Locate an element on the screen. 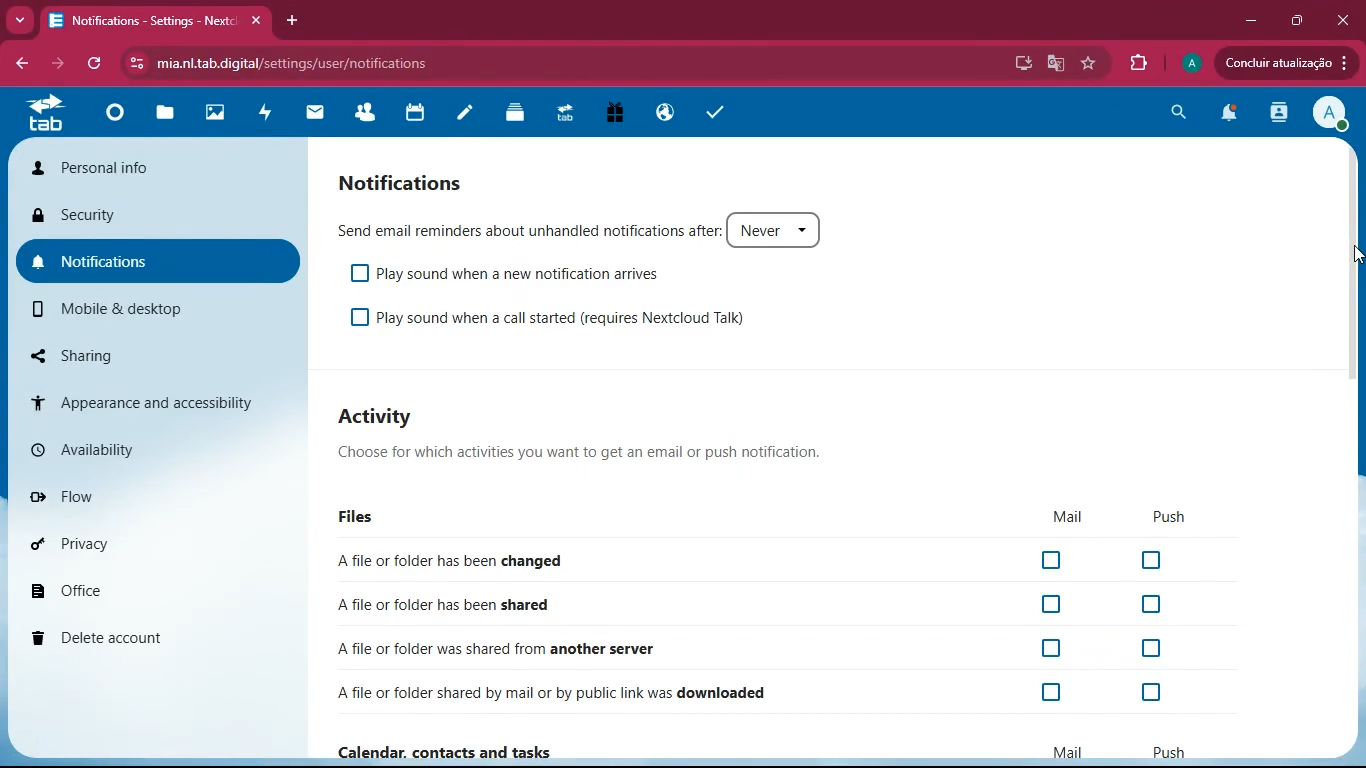 This screenshot has height=768, width=1366. tab is located at coordinates (47, 116).